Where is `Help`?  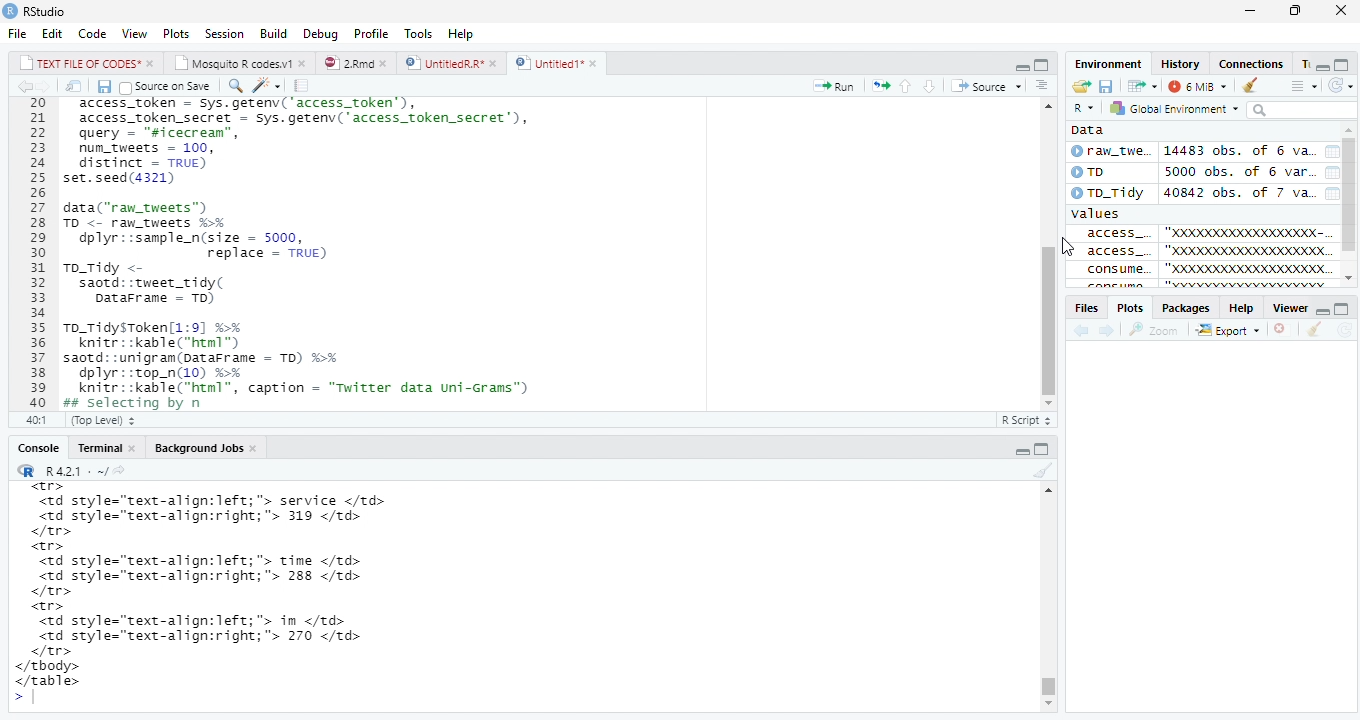 Help is located at coordinates (462, 33).